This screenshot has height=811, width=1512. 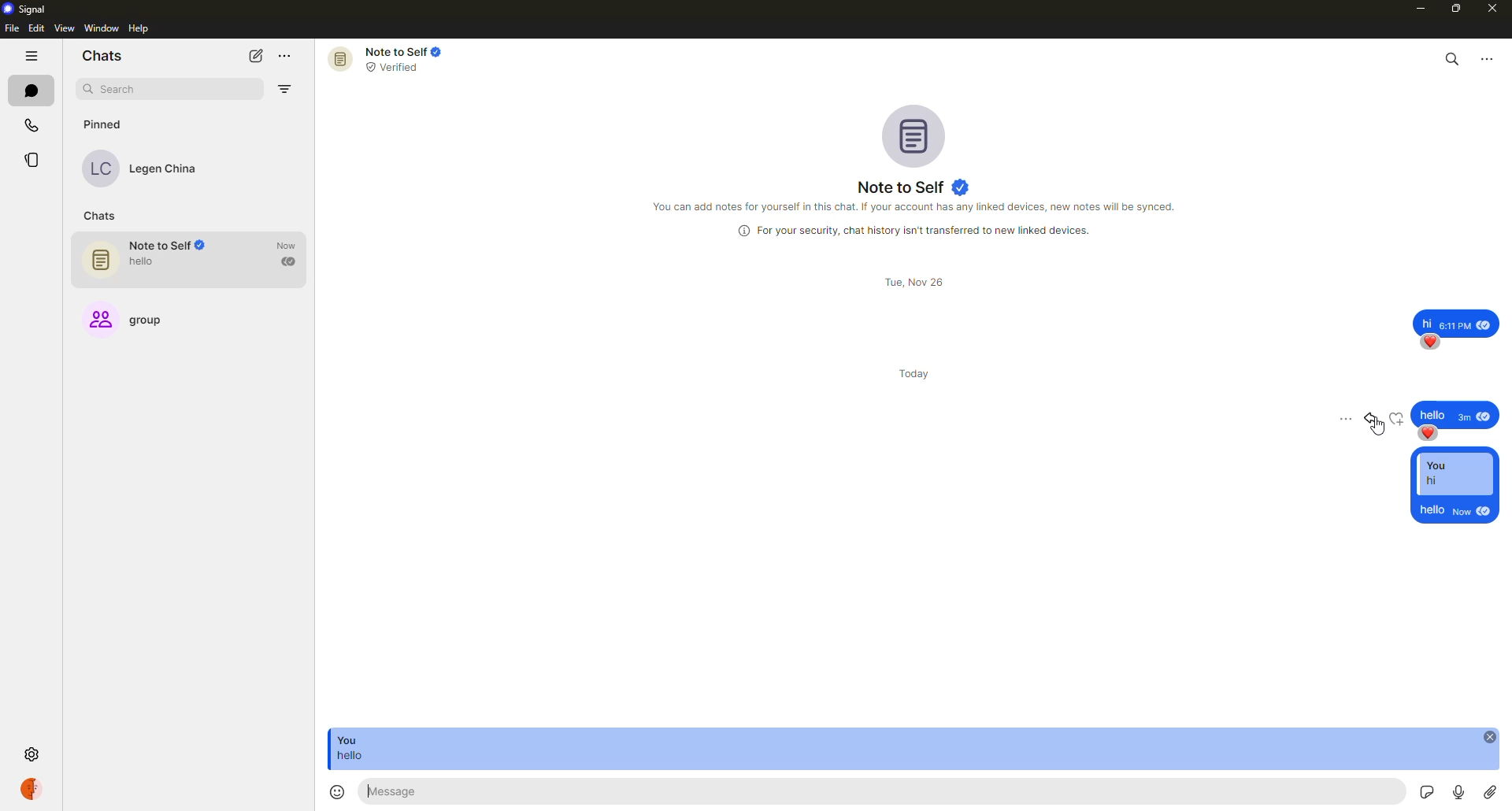 What do you see at coordinates (1453, 57) in the screenshot?
I see `search` at bounding box center [1453, 57].